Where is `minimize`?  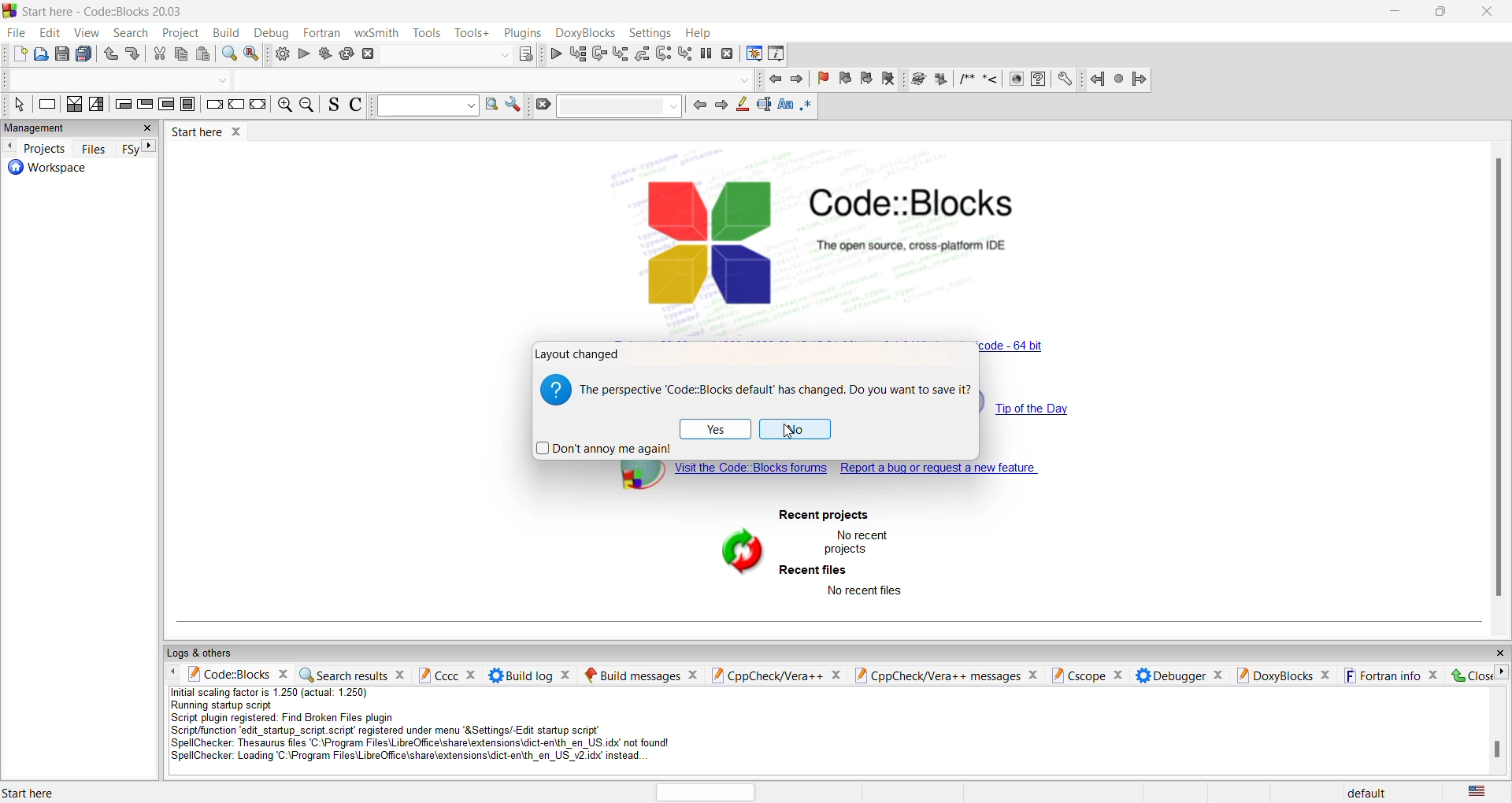 minimize is located at coordinates (1397, 11).